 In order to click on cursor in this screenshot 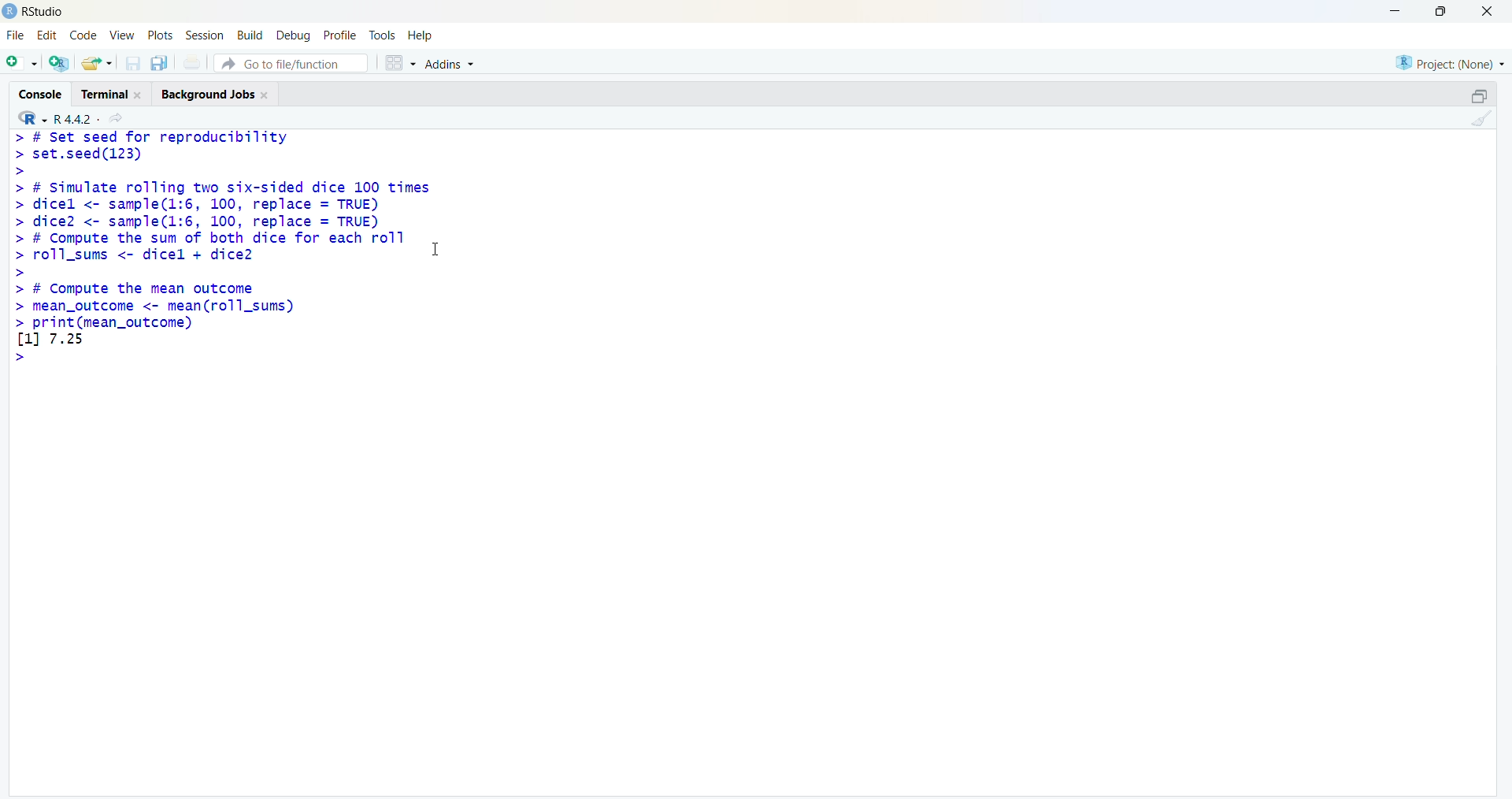, I will do `click(435, 250)`.